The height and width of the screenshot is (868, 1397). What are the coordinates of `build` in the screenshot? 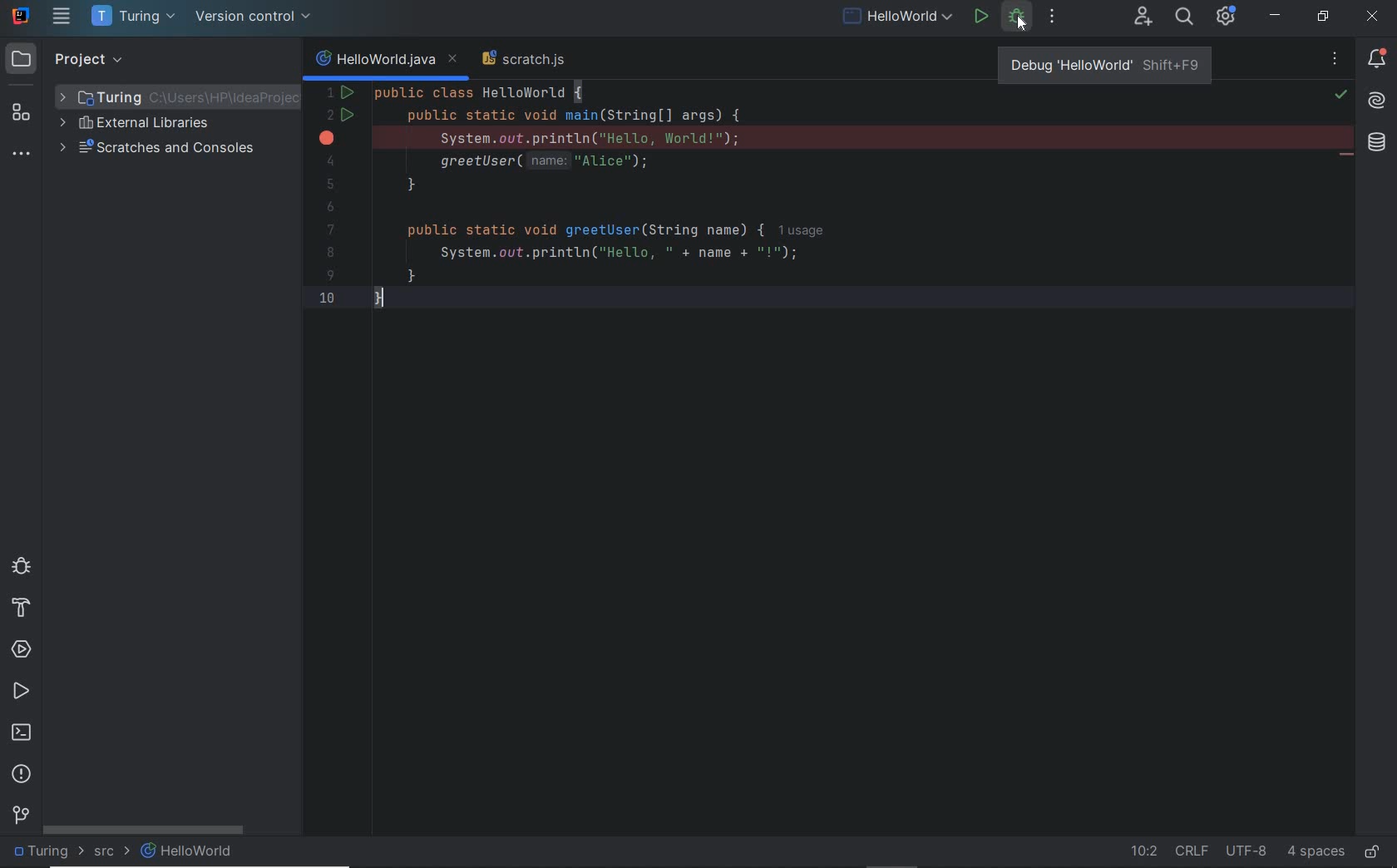 It's located at (17, 610).